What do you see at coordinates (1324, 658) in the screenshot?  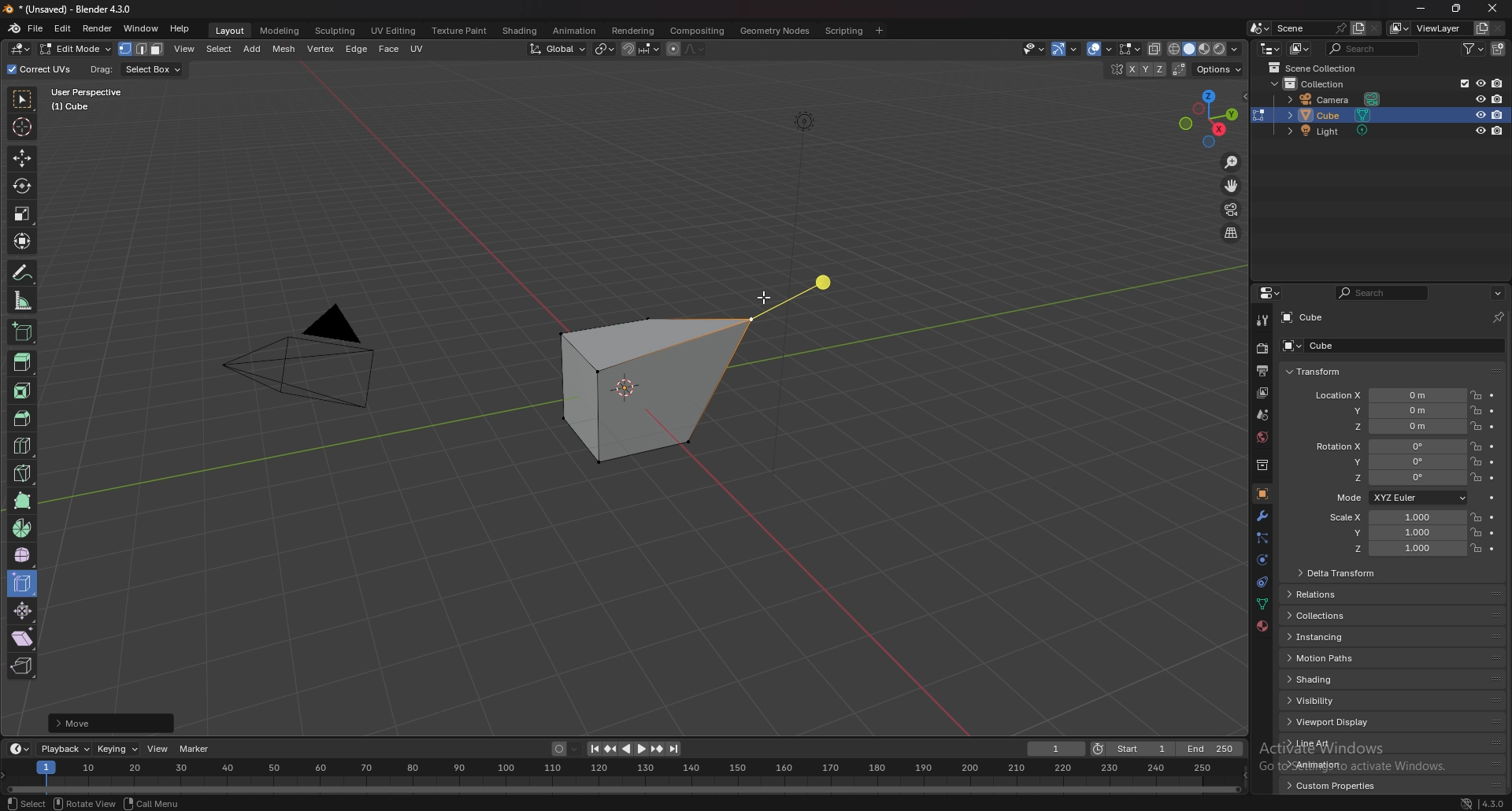 I see `motion paths` at bounding box center [1324, 658].